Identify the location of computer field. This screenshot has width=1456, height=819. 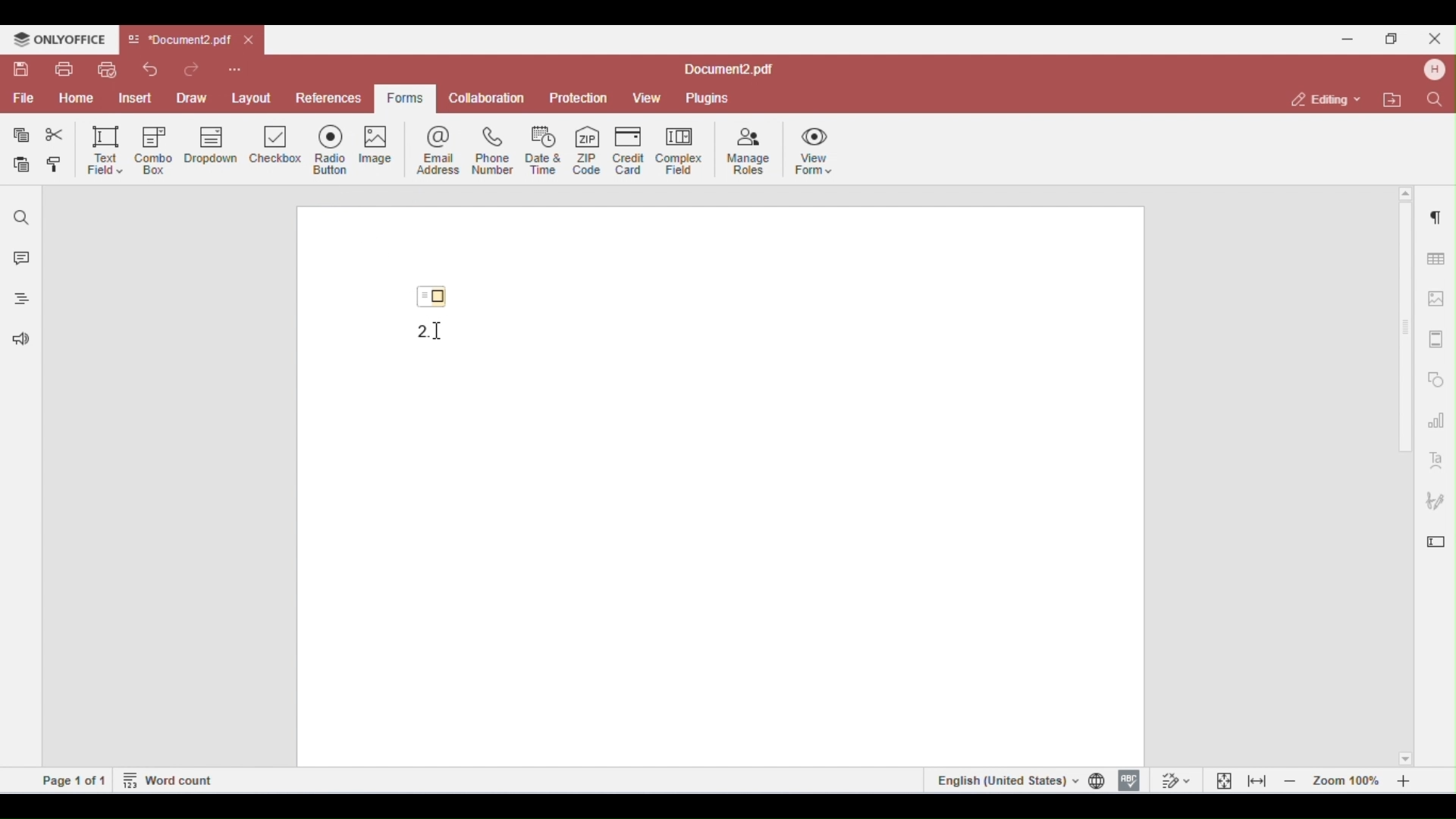
(679, 149).